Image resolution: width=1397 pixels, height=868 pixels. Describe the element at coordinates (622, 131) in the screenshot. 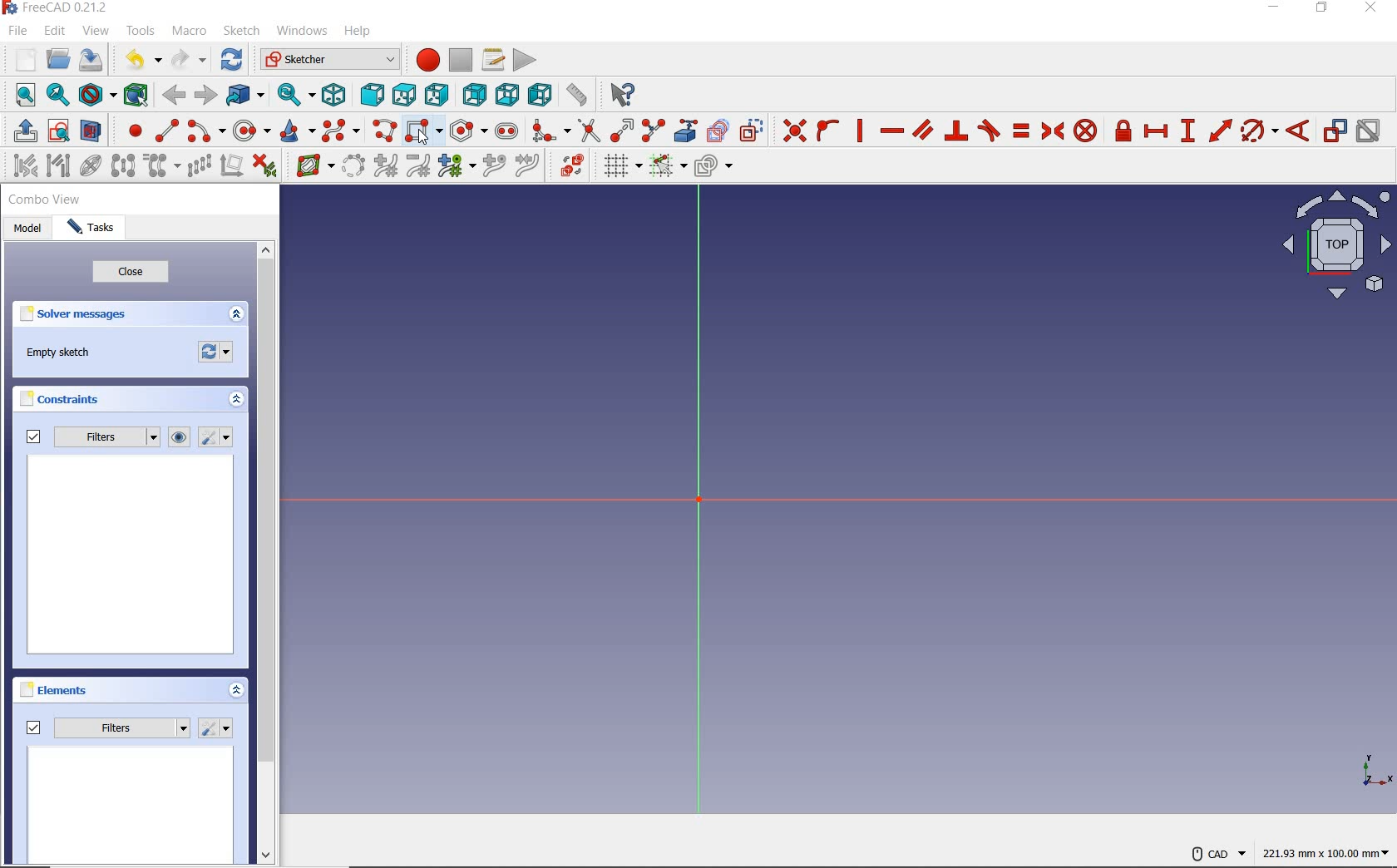

I see `extend edge` at that location.